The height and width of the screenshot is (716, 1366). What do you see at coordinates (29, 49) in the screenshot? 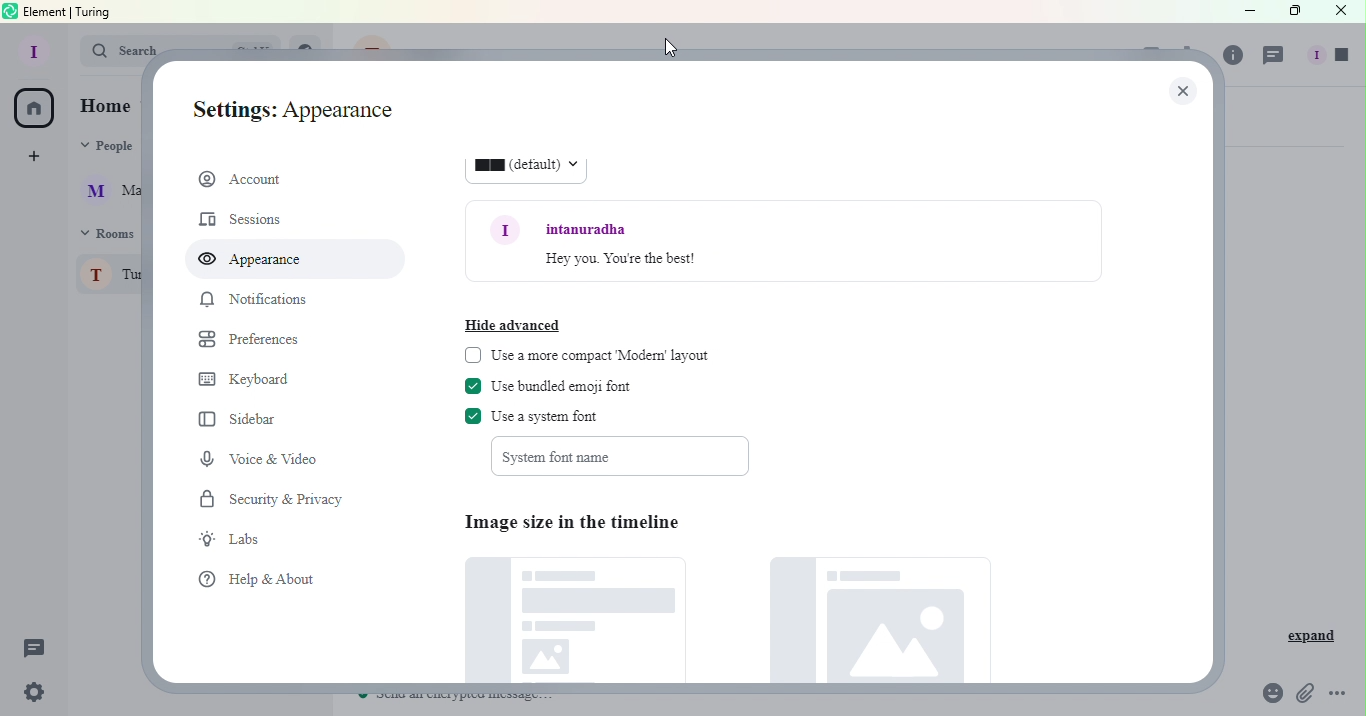
I see `Profile` at bounding box center [29, 49].